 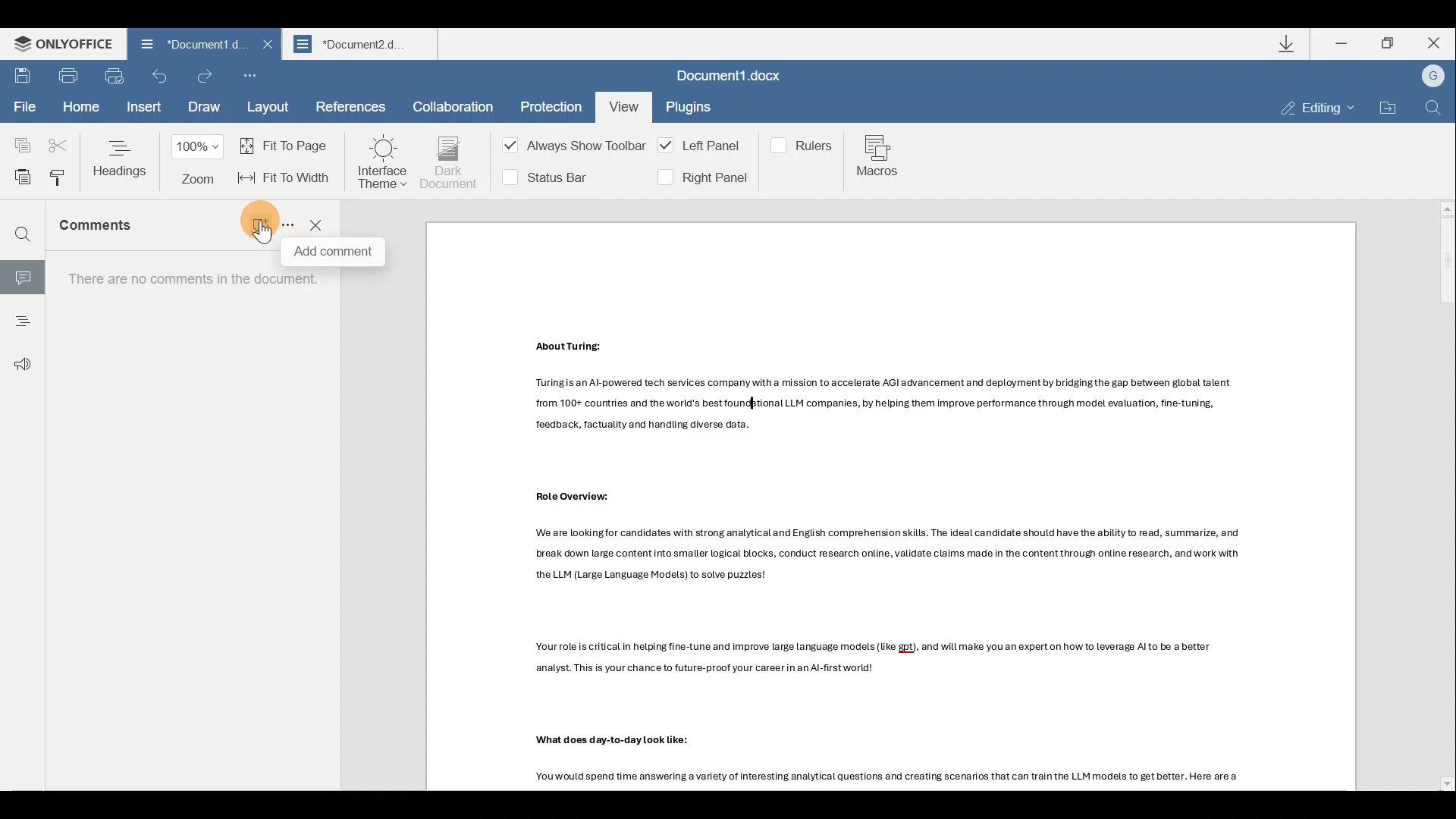 I want to click on Headings, so click(x=21, y=316).